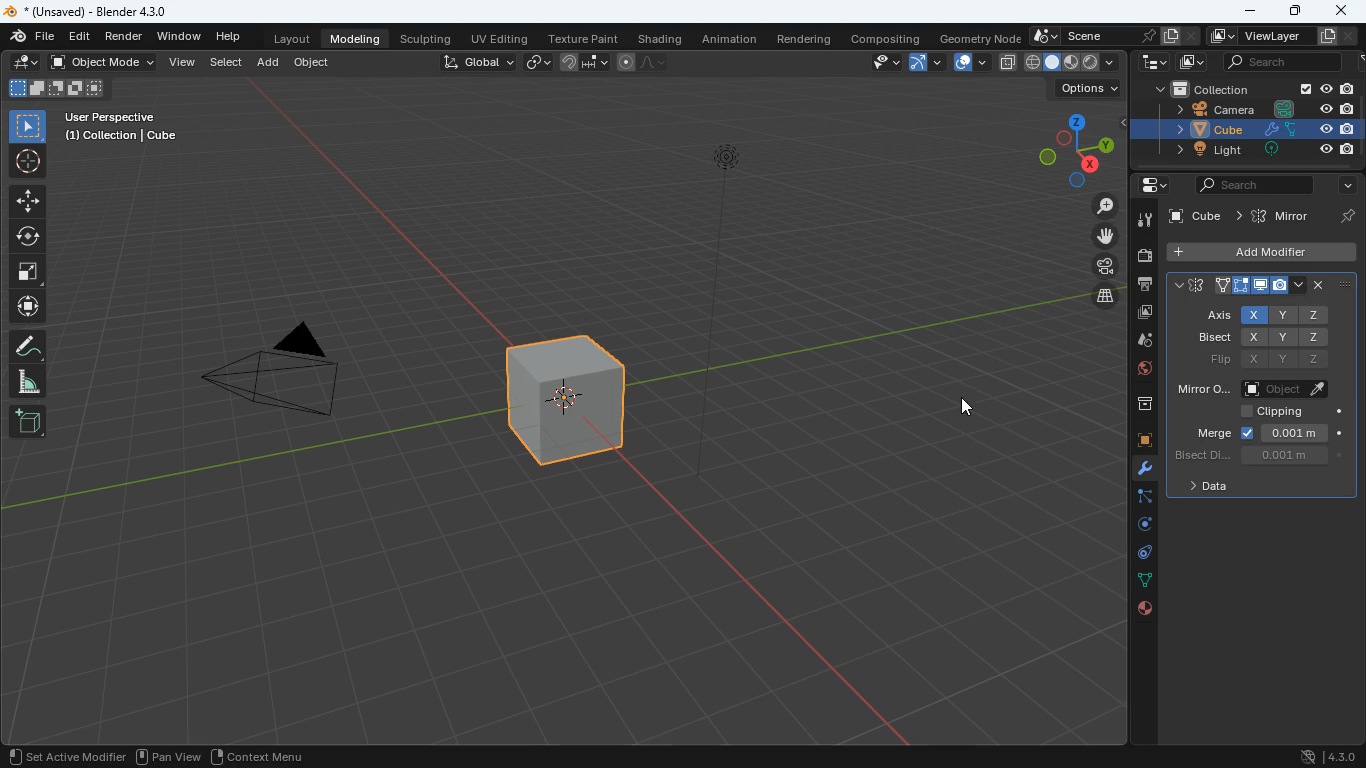 The image size is (1366, 768). Describe the element at coordinates (1277, 63) in the screenshot. I see `search` at that location.